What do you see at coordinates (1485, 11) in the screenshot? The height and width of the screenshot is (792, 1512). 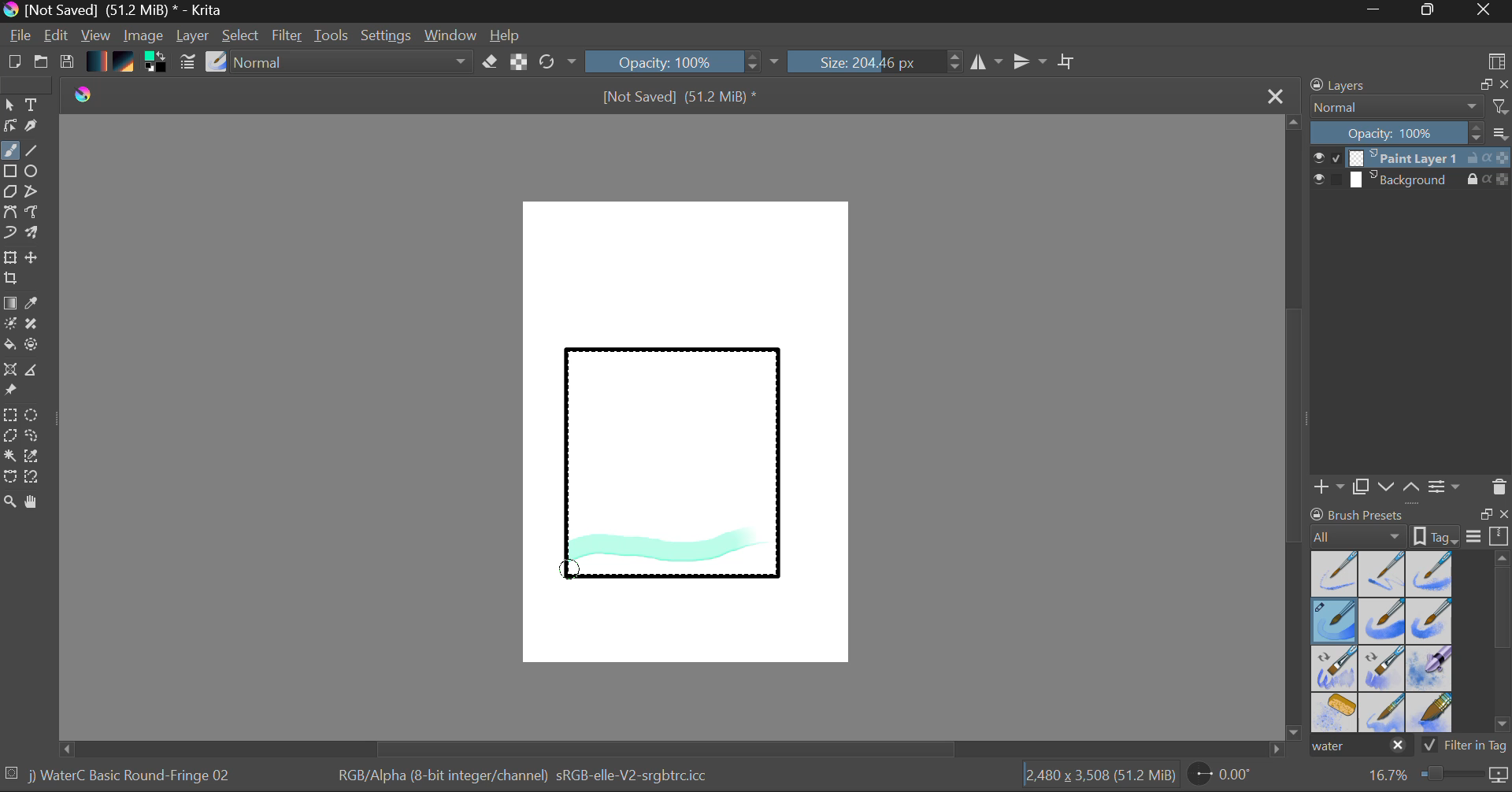 I see `Close` at bounding box center [1485, 11].